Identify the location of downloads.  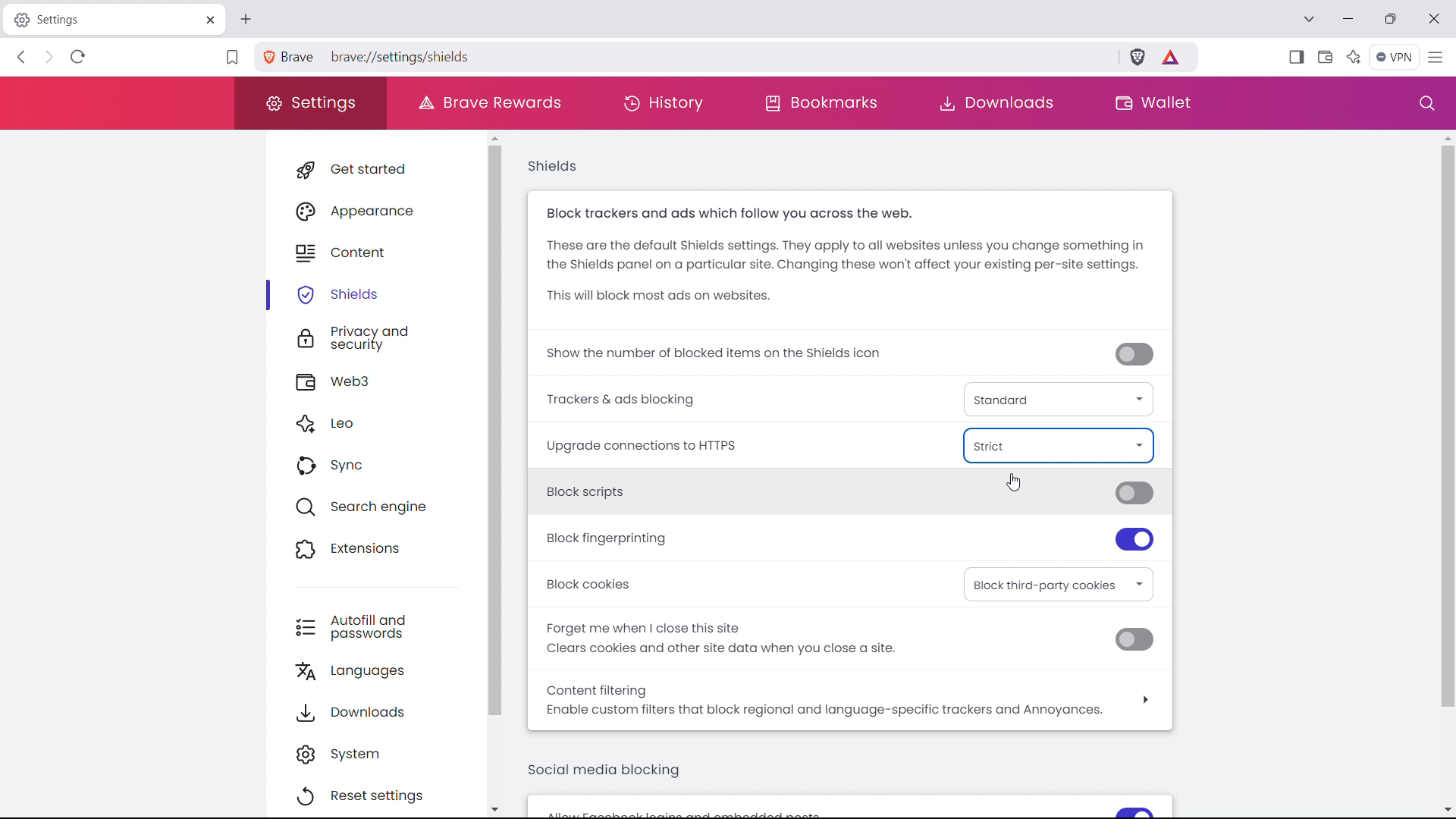
(999, 104).